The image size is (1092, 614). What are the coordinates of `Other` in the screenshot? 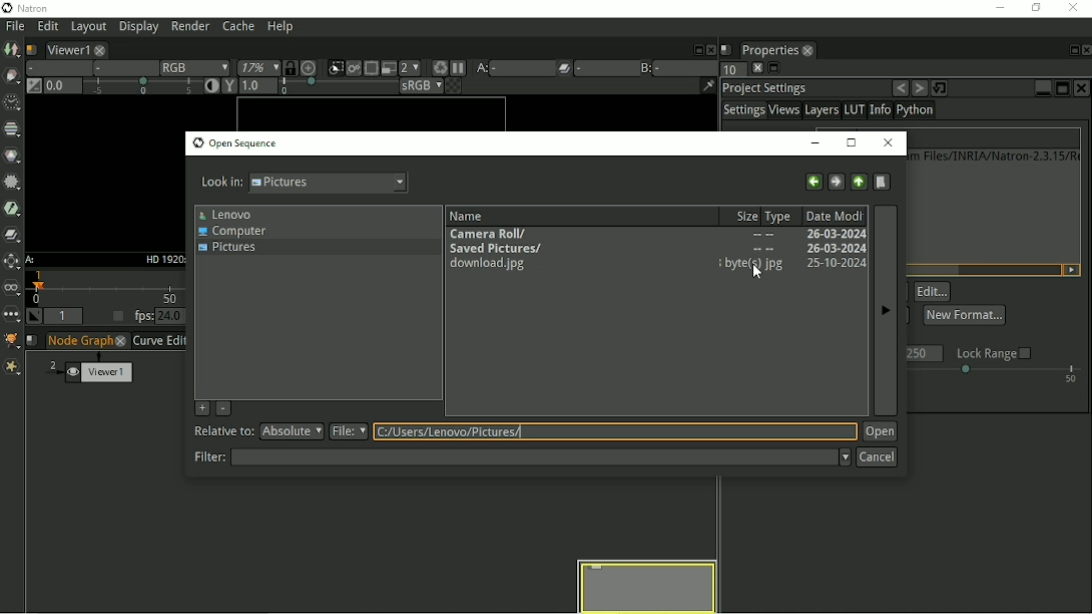 It's located at (11, 314).